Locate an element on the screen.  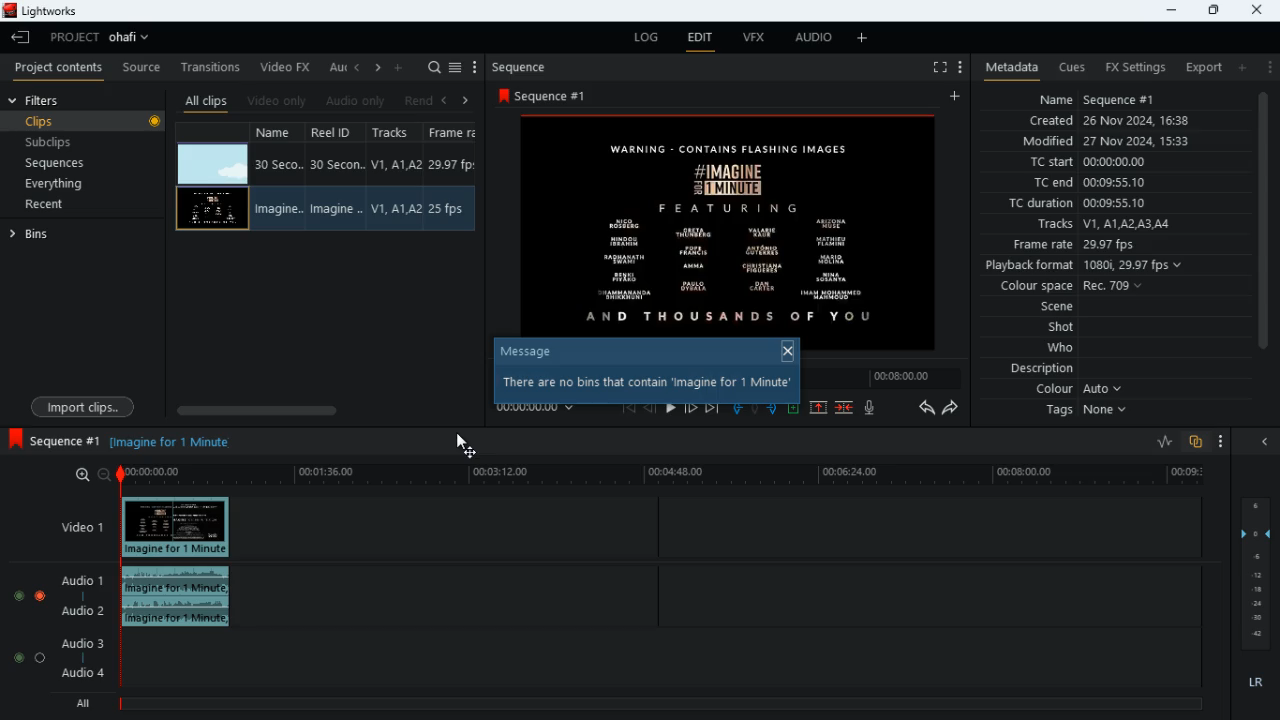
transitions is located at coordinates (213, 63).